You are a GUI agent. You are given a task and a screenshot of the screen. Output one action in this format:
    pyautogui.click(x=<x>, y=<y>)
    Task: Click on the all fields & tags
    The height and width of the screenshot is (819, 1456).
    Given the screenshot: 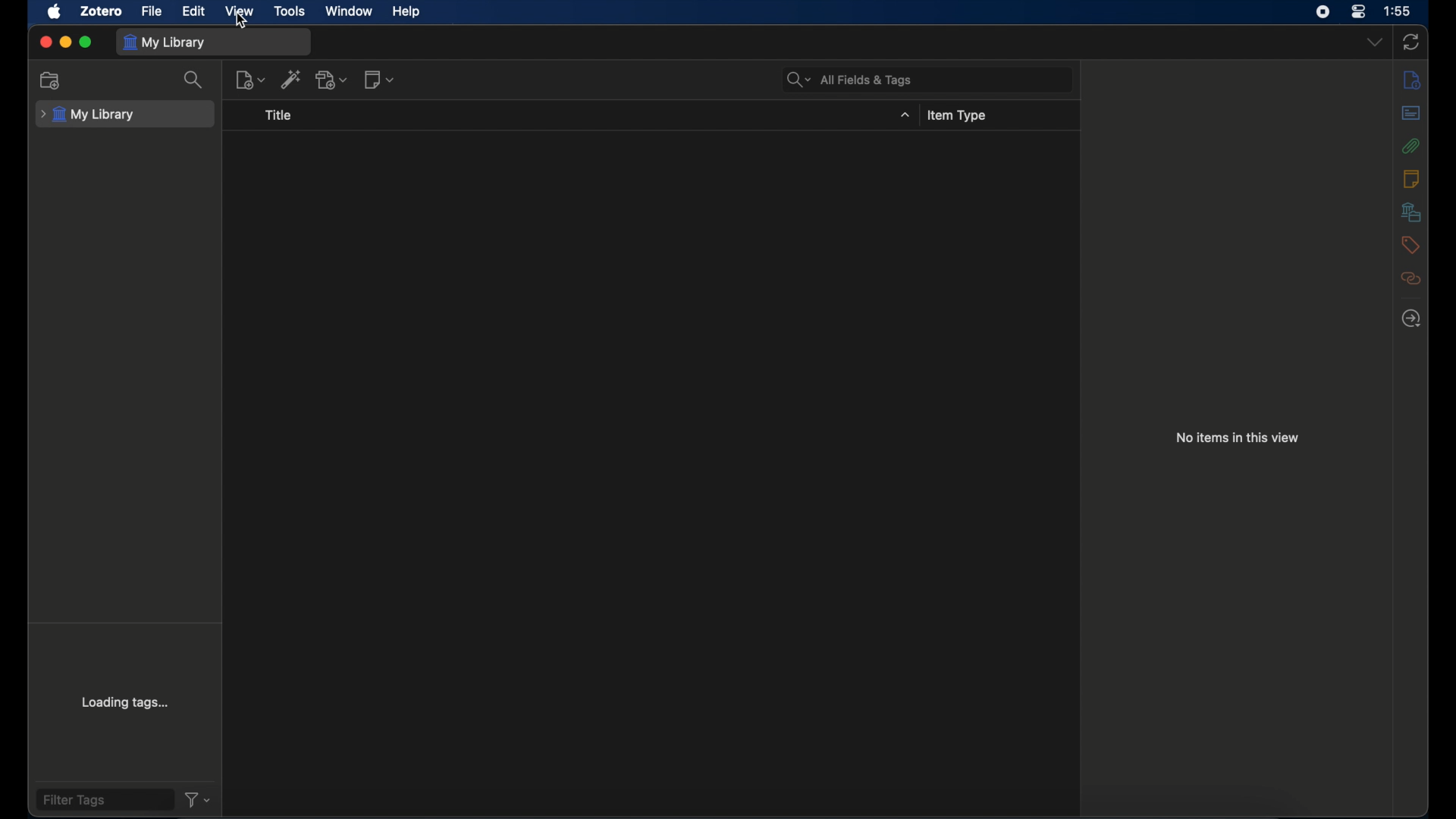 What is the action you would take?
    pyautogui.click(x=851, y=80)
    